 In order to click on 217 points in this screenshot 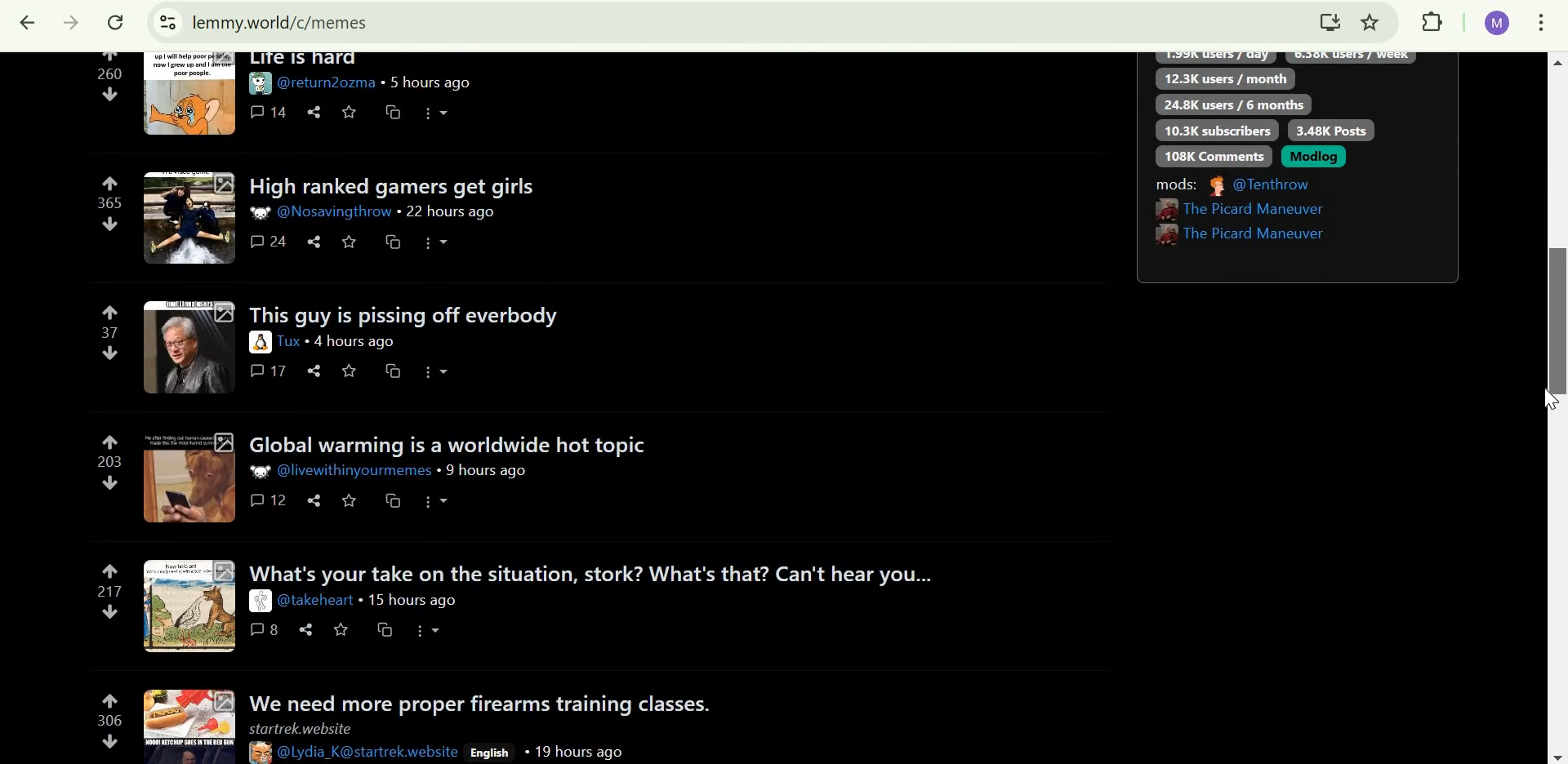, I will do `click(111, 591)`.